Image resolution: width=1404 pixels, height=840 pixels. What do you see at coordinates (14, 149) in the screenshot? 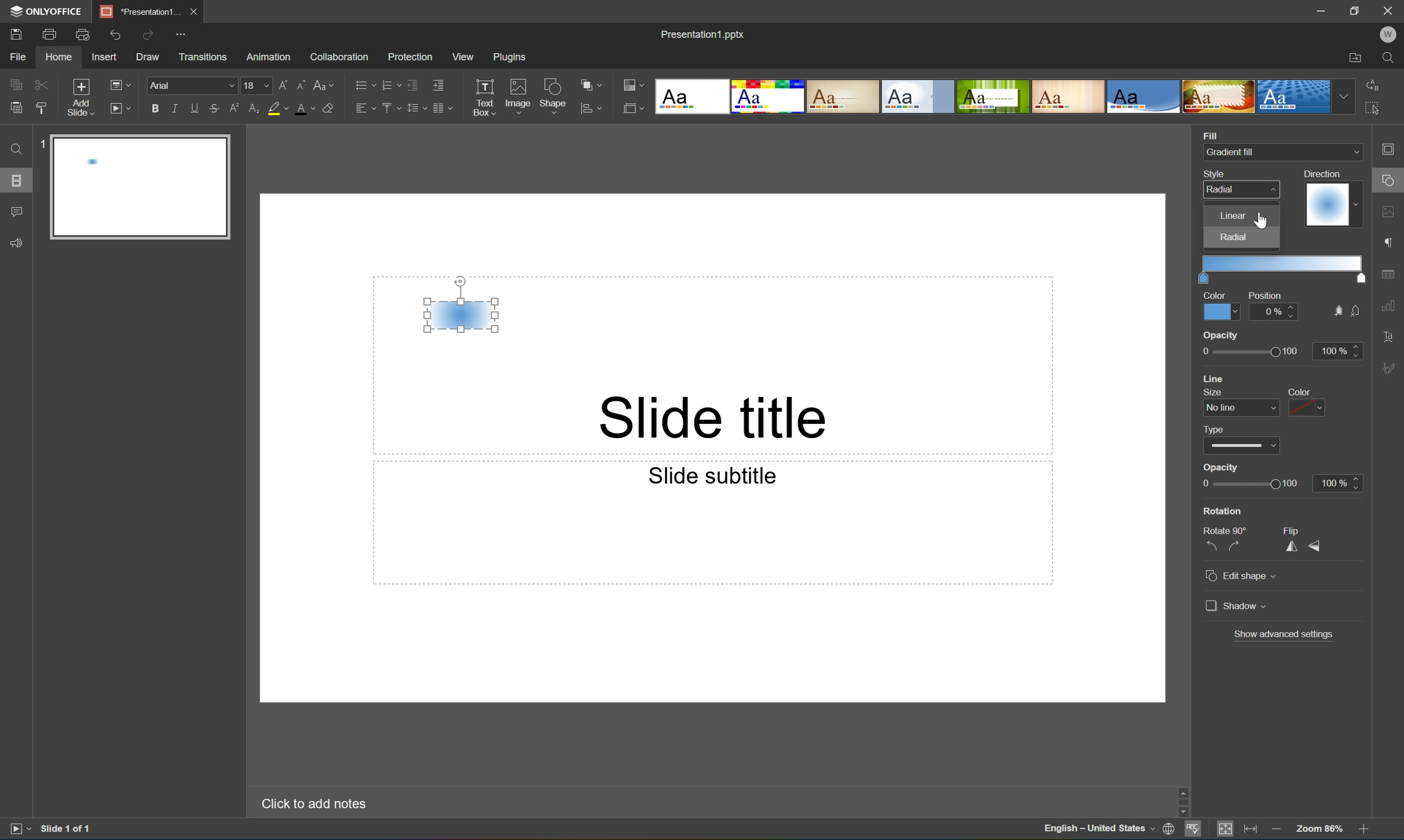
I see `Find` at bounding box center [14, 149].